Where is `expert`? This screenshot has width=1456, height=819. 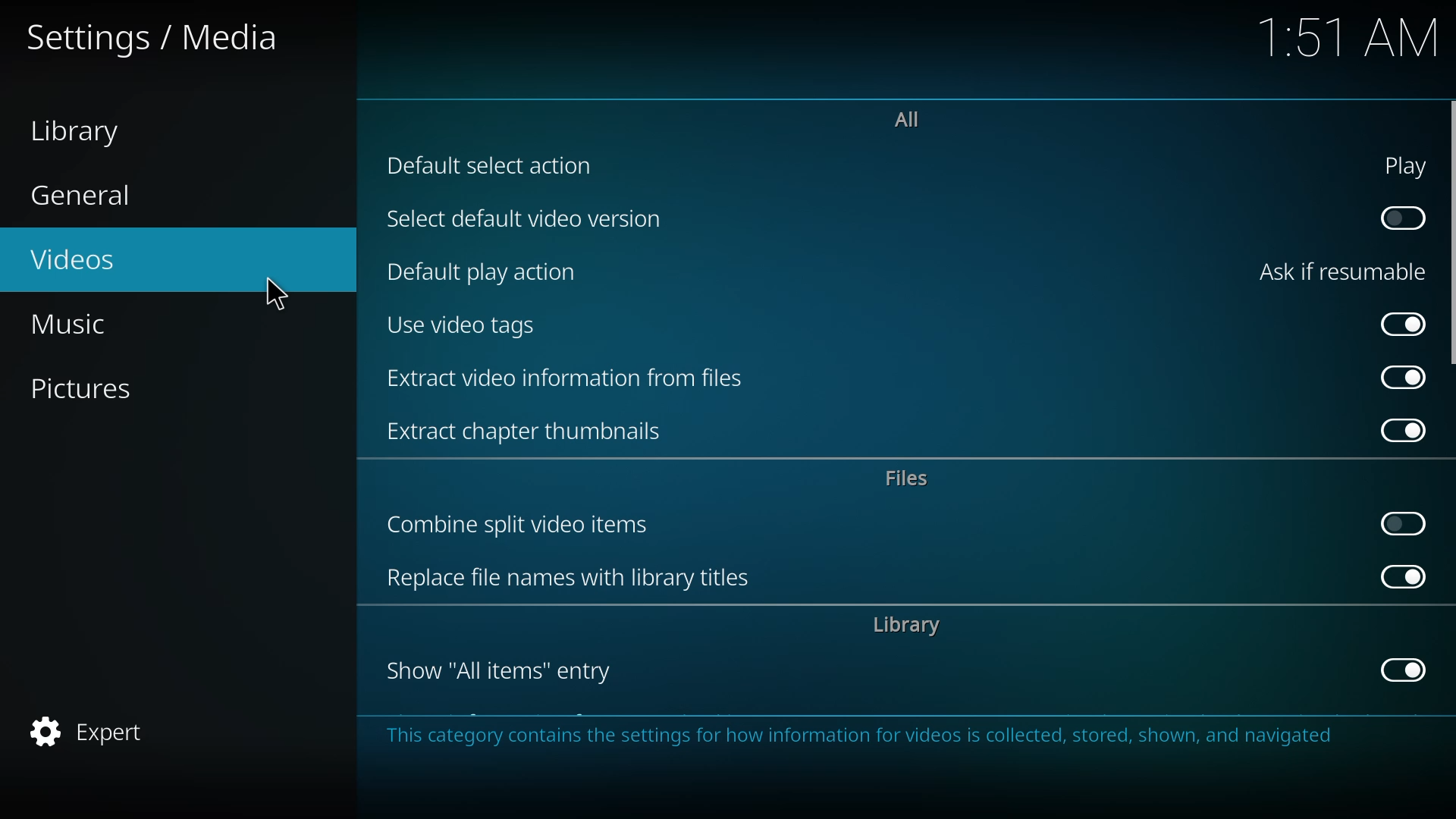
expert is located at coordinates (86, 730).